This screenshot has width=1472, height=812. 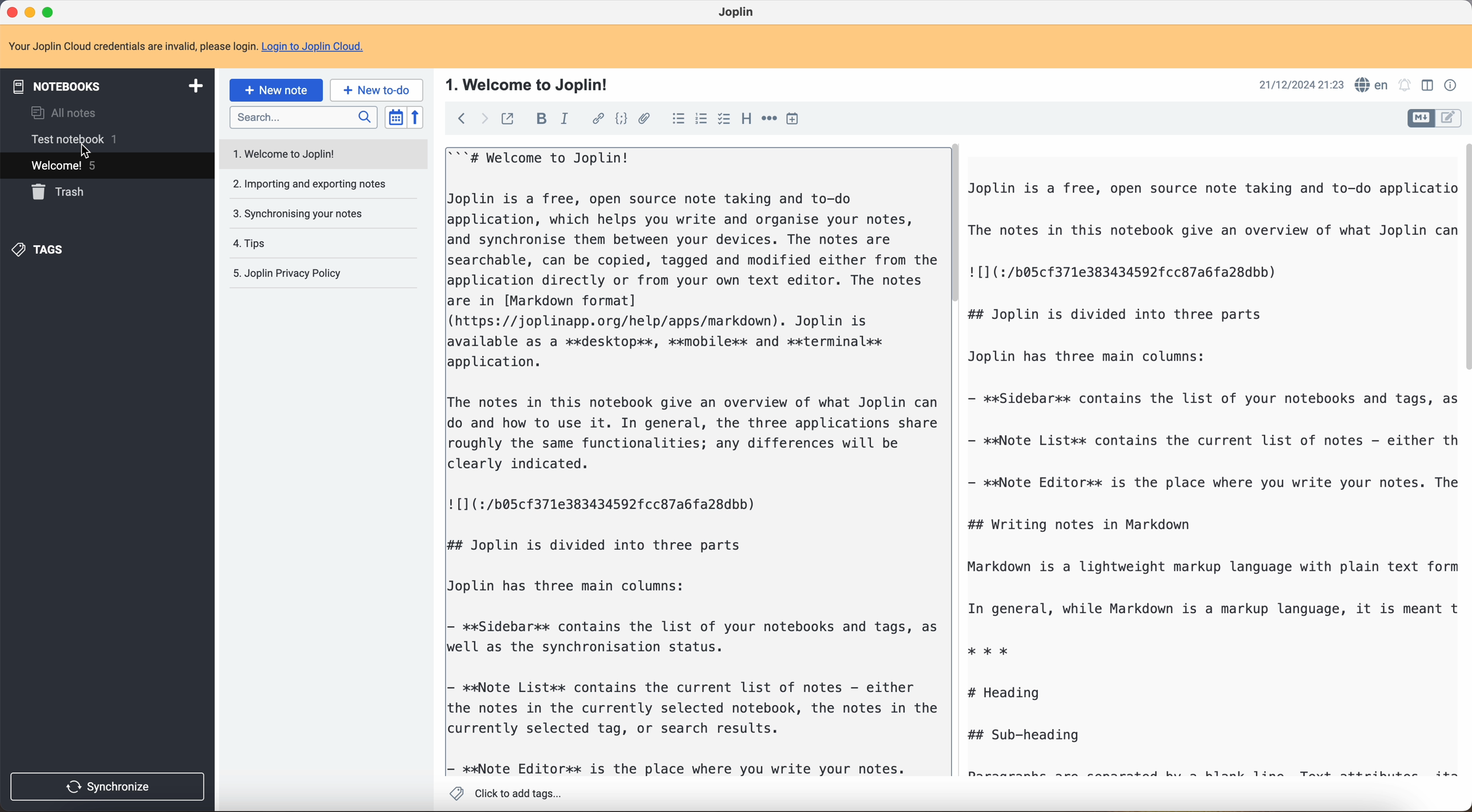 I want to click on bold, so click(x=541, y=118).